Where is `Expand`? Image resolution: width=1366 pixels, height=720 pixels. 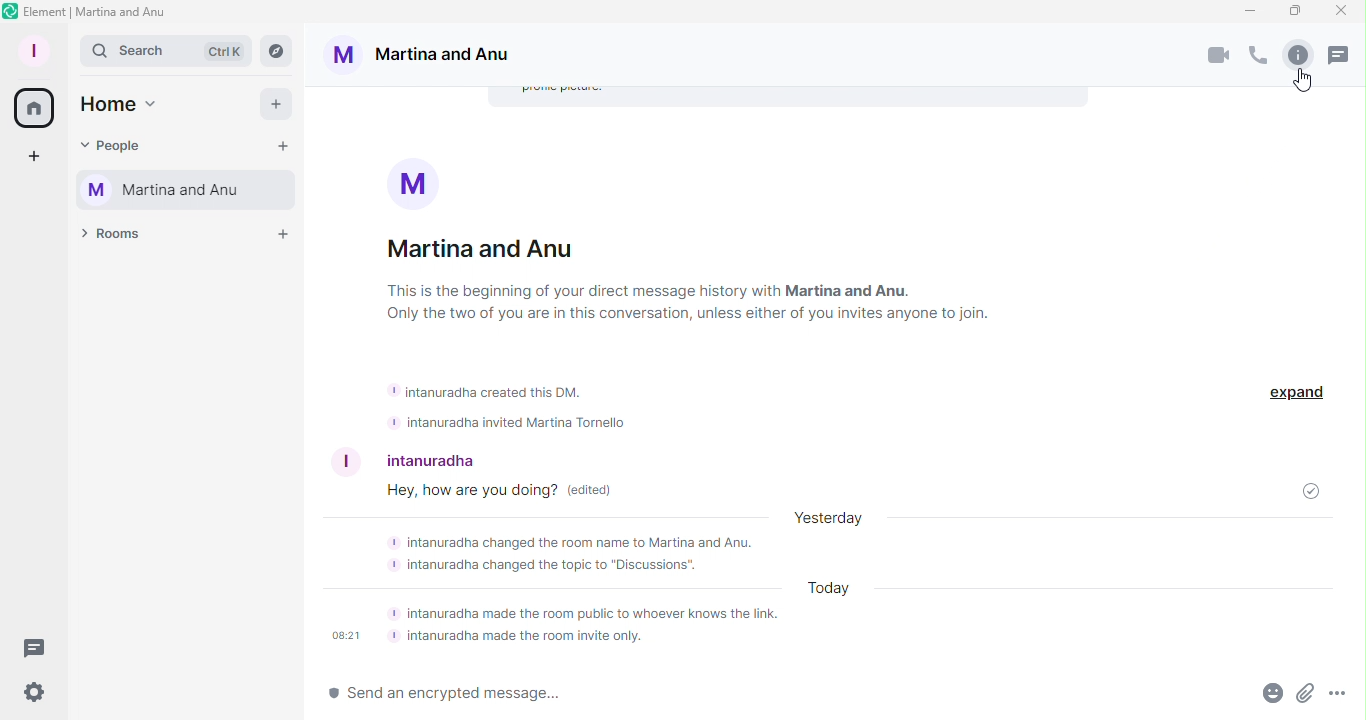 Expand is located at coordinates (1289, 387).